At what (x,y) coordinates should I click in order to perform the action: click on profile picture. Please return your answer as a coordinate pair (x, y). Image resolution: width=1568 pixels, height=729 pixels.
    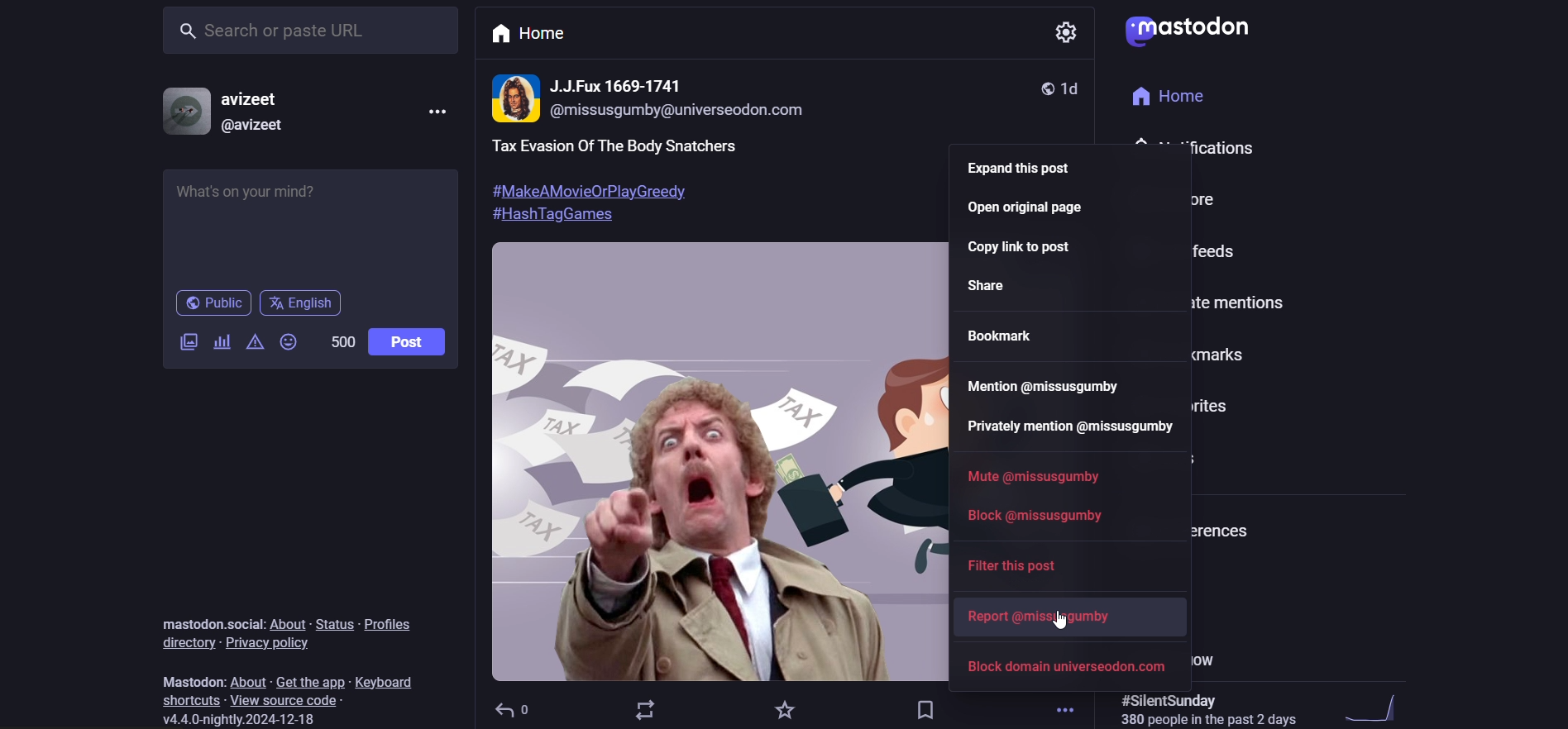
    Looking at the image, I should click on (516, 98).